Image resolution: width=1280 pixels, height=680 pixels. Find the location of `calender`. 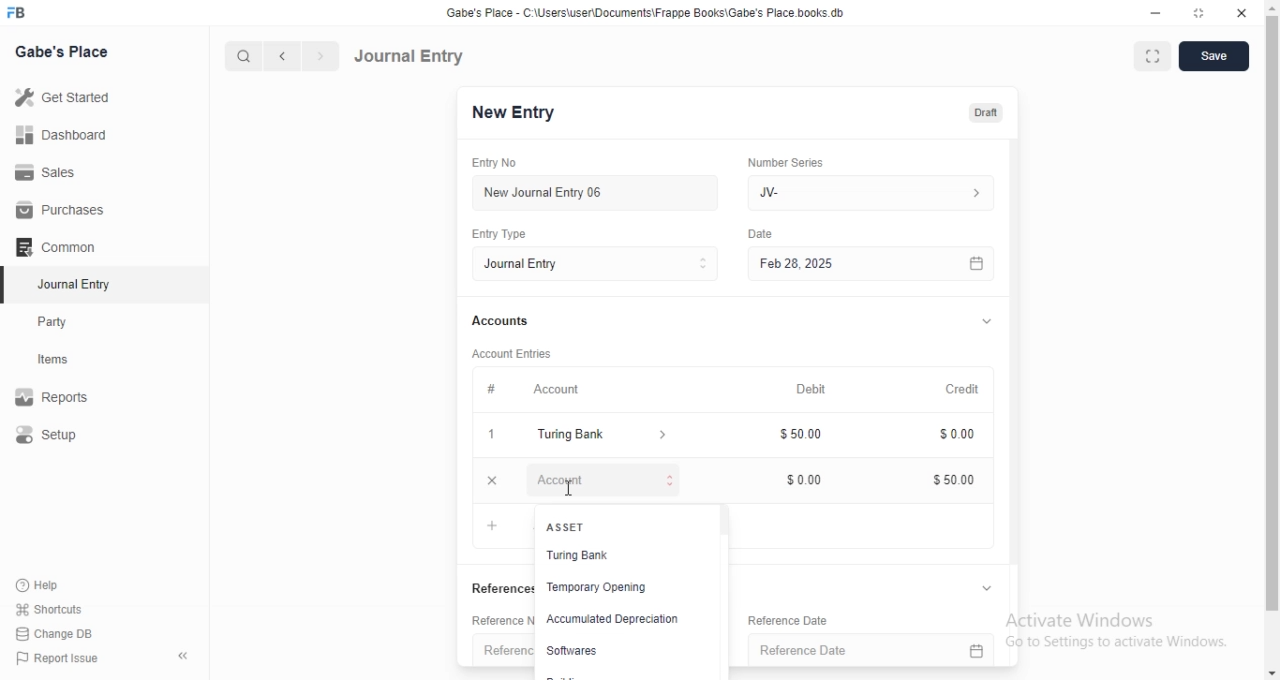

calender is located at coordinates (983, 651).